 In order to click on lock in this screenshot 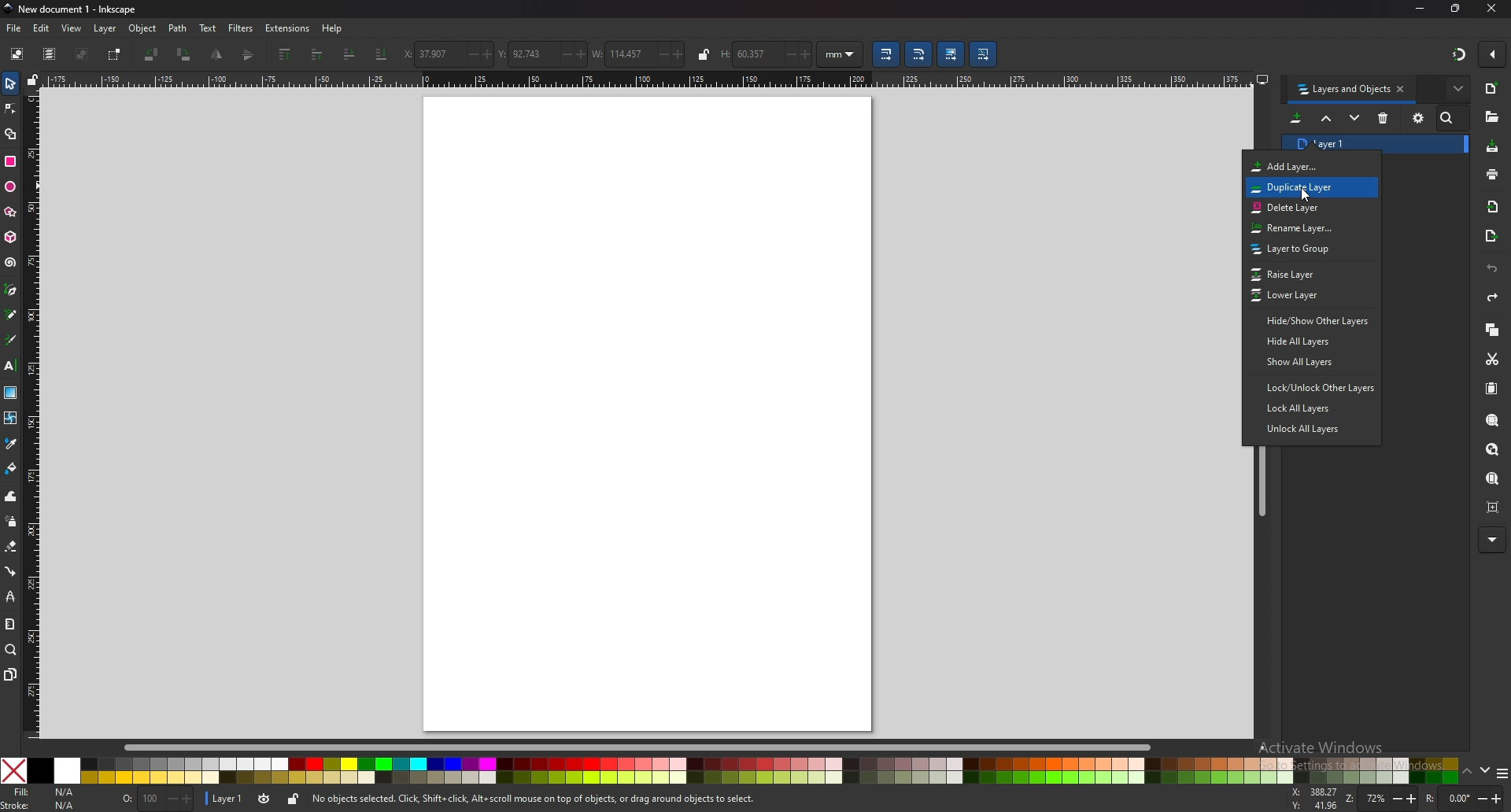, I will do `click(293, 799)`.